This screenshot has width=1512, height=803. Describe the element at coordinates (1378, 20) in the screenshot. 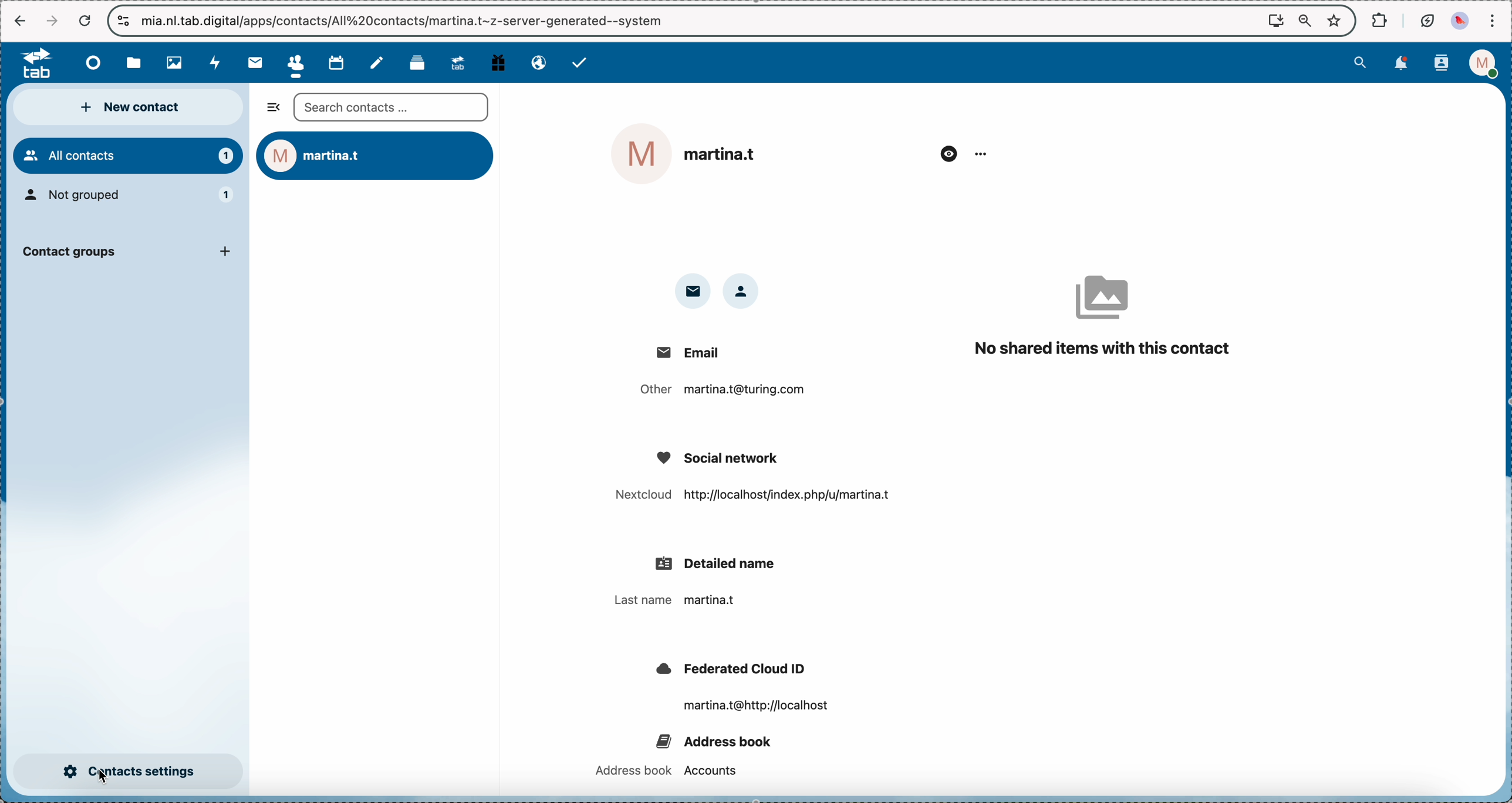

I see `extensions` at that location.